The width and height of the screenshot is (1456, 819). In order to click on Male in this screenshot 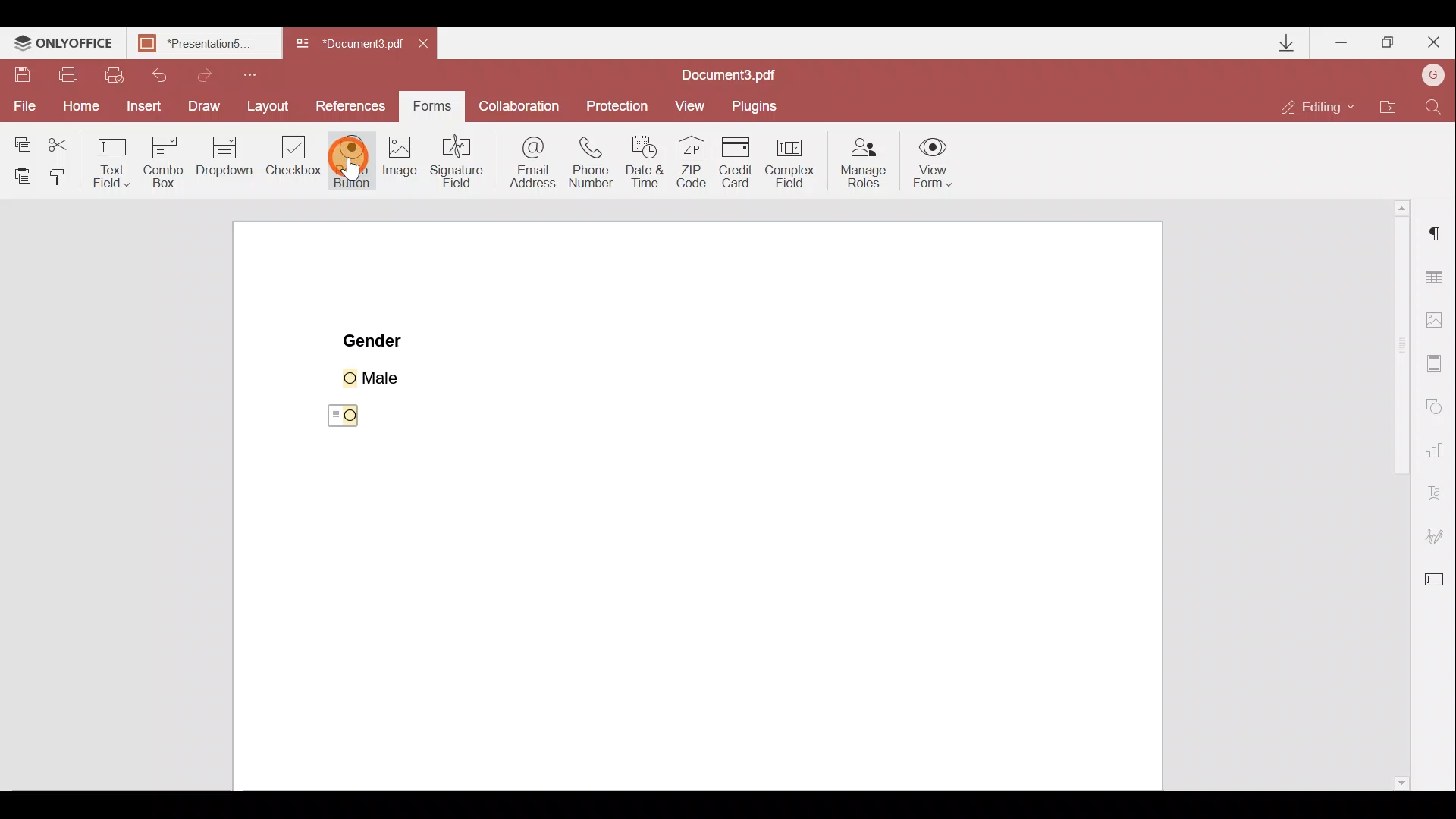, I will do `click(392, 375)`.